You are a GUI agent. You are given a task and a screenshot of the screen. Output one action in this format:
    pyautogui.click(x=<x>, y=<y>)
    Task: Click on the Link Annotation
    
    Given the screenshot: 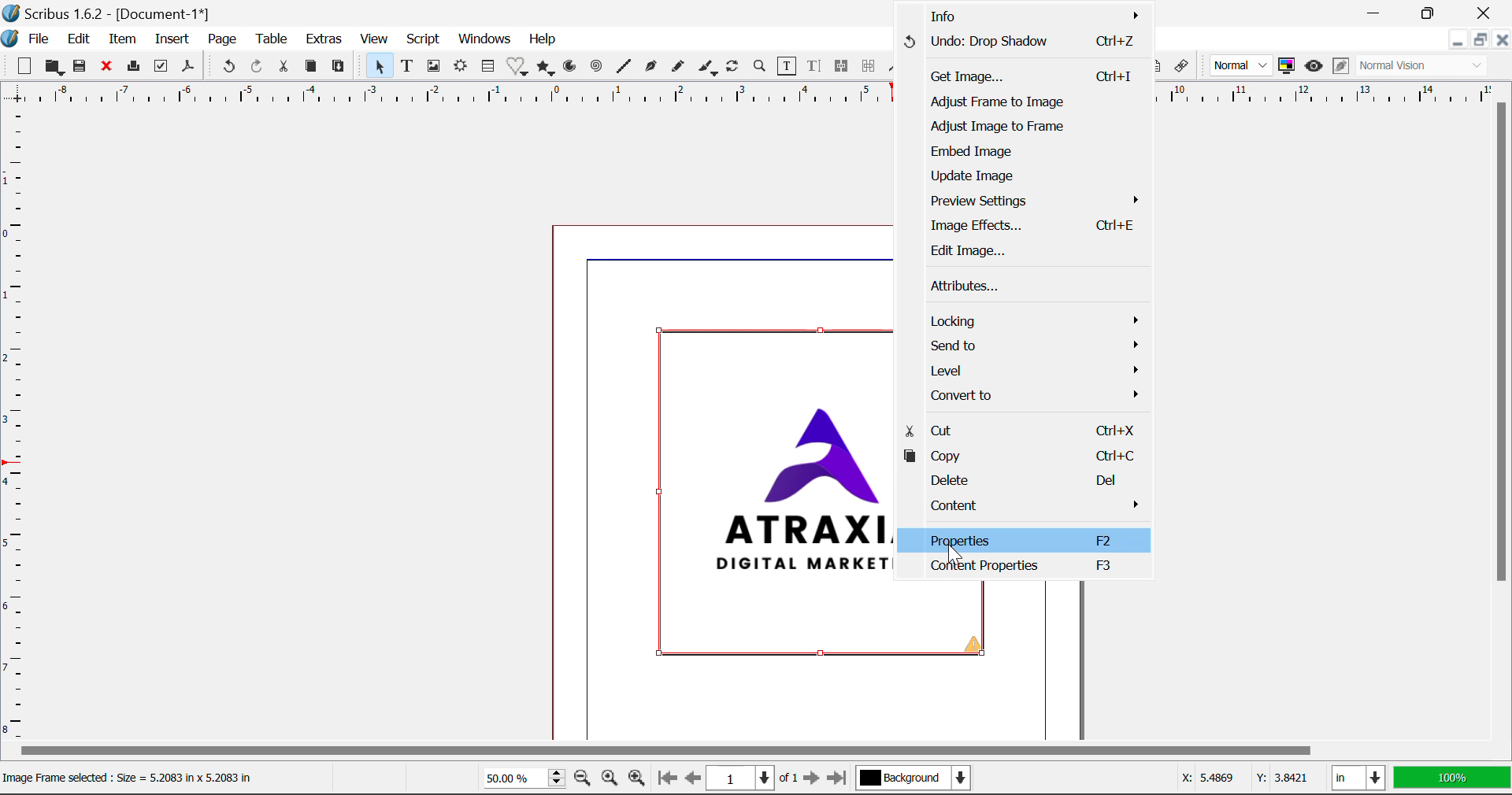 What is the action you would take?
    pyautogui.click(x=1184, y=68)
    